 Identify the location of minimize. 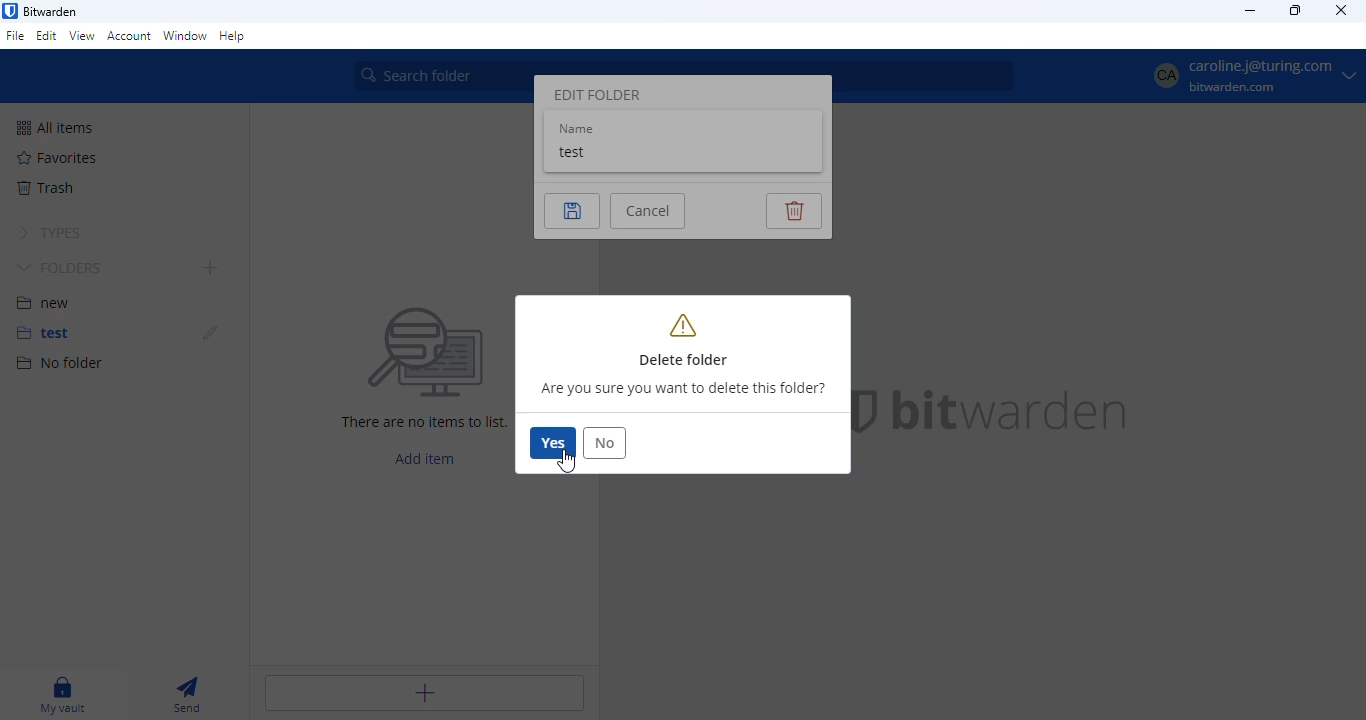
(1250, 11).